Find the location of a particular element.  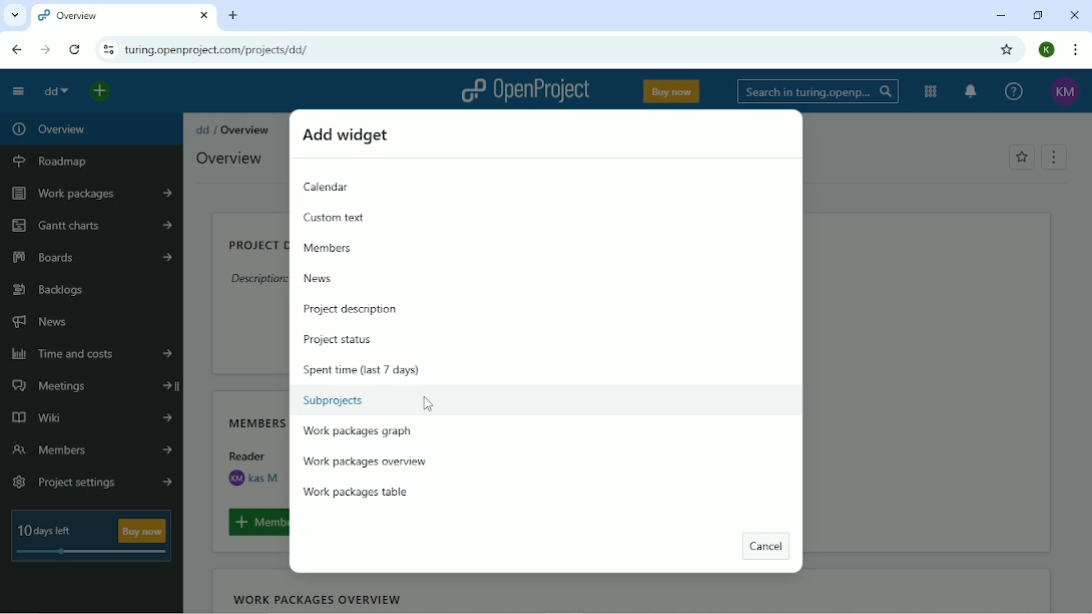

Buy now is located at coordinates (672, 90).